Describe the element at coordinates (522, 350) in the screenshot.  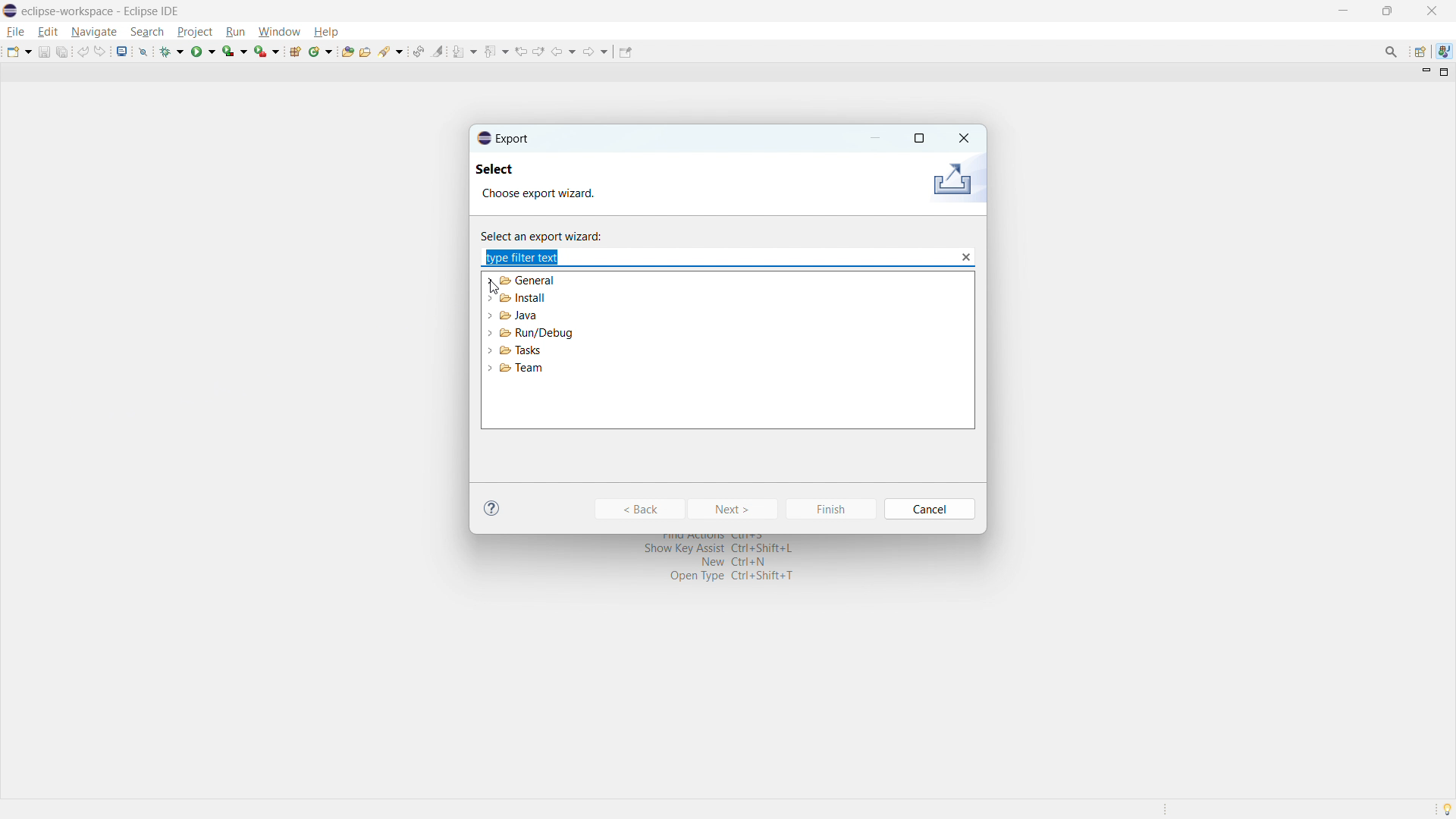
I see `tasks` at that location.